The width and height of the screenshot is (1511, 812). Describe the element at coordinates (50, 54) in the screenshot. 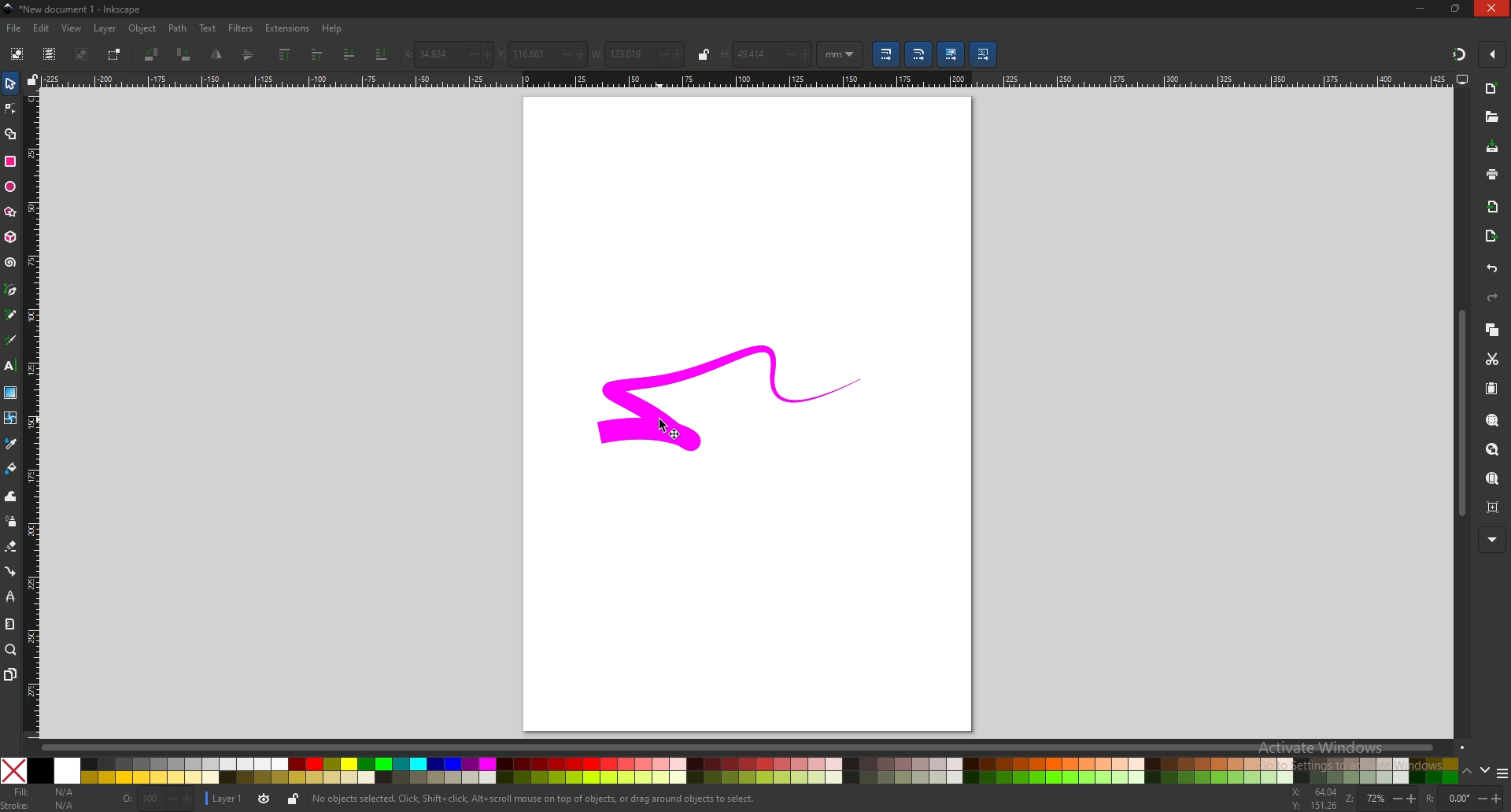

I see `select all in all layers` at that location.